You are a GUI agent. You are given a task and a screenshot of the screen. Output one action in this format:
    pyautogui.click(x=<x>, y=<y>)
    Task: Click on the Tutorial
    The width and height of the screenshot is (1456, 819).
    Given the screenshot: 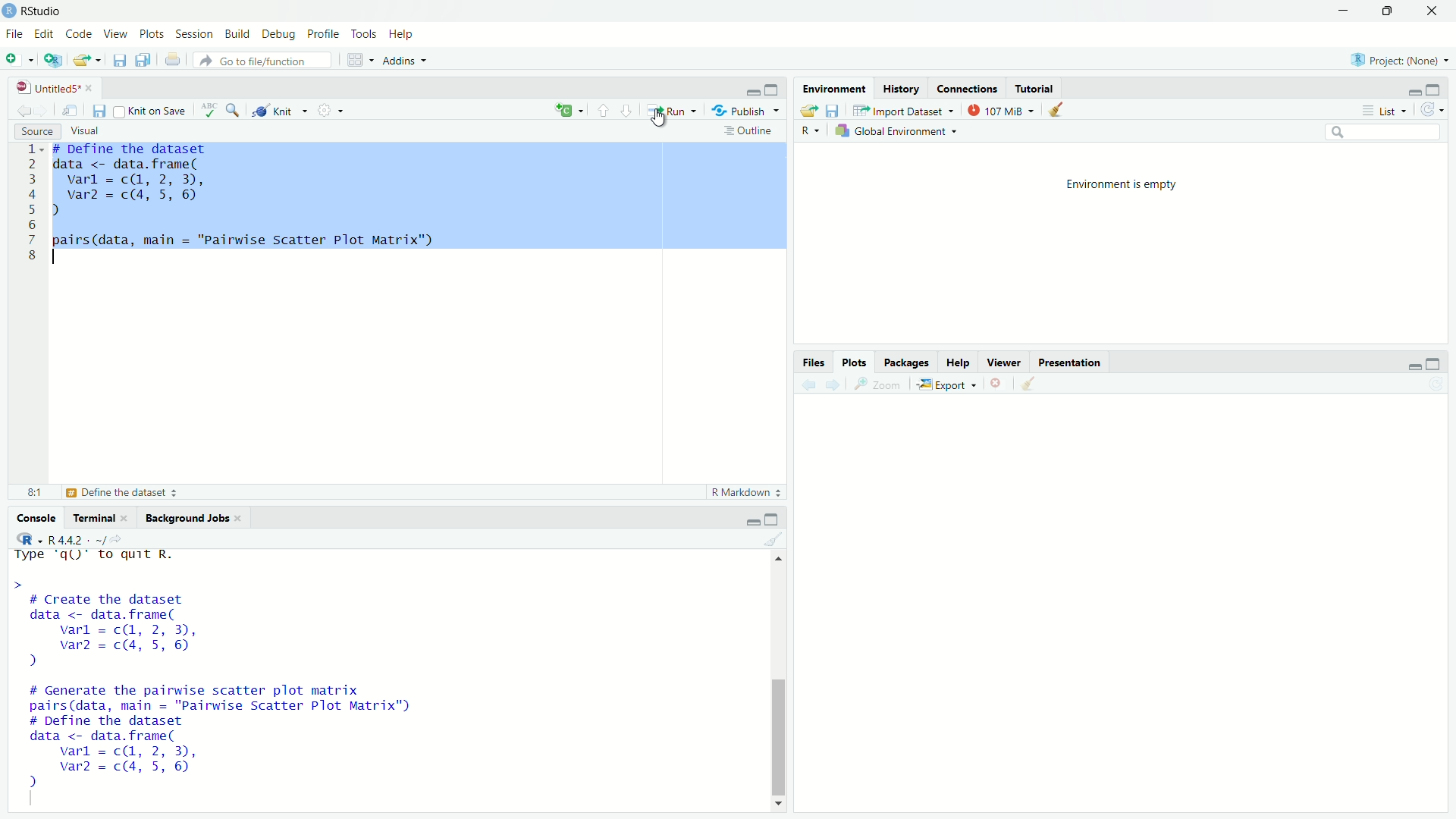 What is the action you would take?
    pyautogui.click(x=1037, y=88)
    